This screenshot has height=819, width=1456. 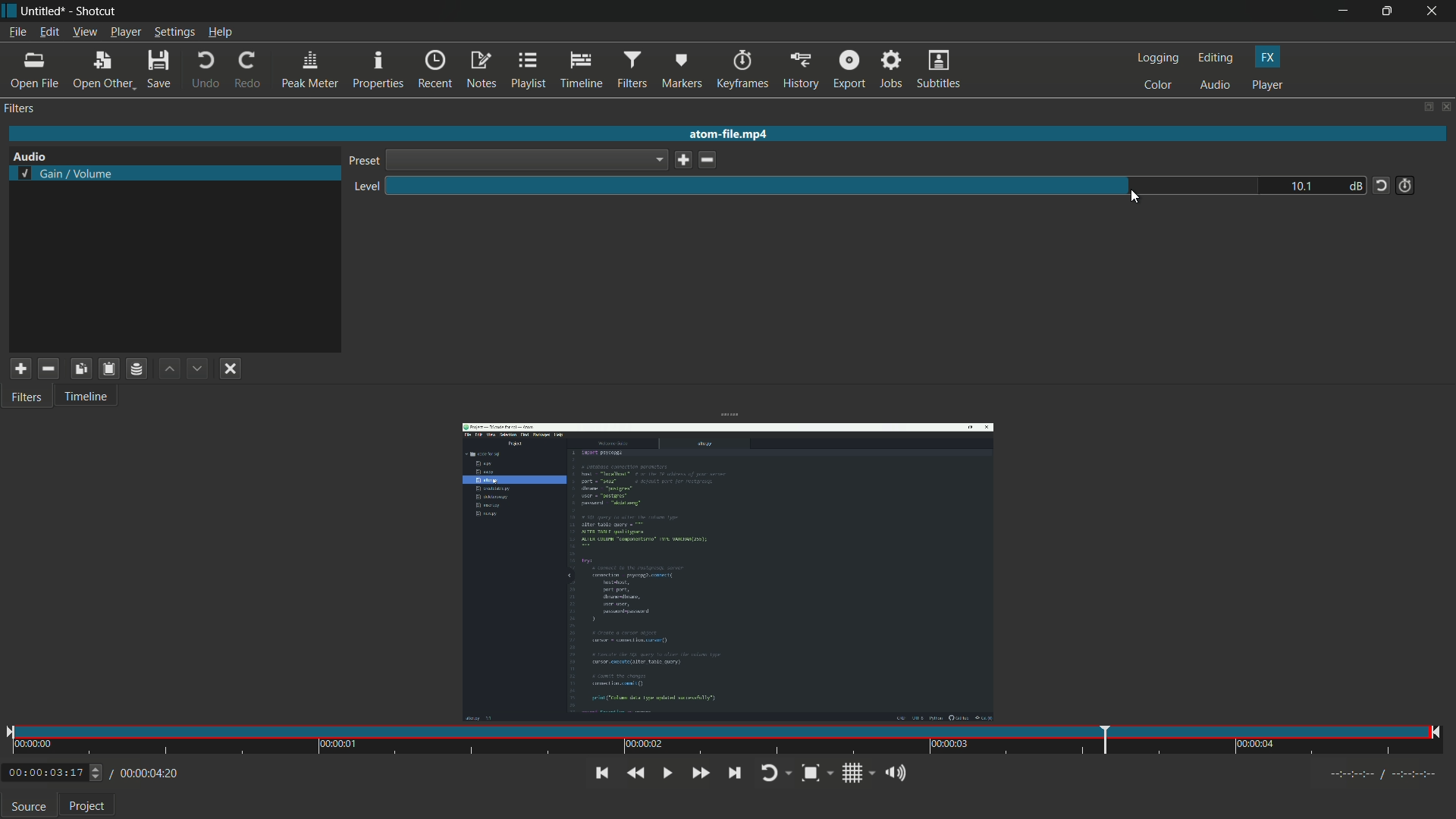 What do you see at coordinates (81, 369) in the screenshot?
I see `copy checked filters` at bounding box center [81, 369].